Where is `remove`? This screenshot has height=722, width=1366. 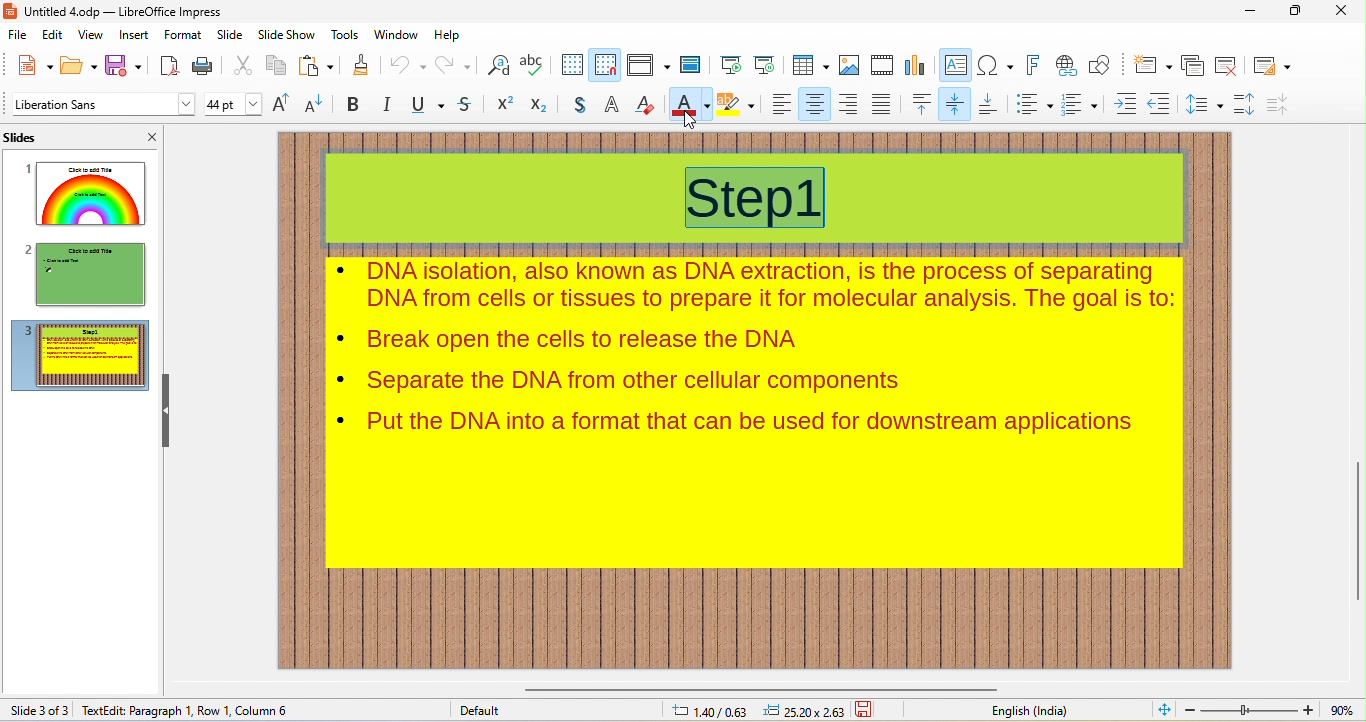 remove is located at coordinates (1228, 66).